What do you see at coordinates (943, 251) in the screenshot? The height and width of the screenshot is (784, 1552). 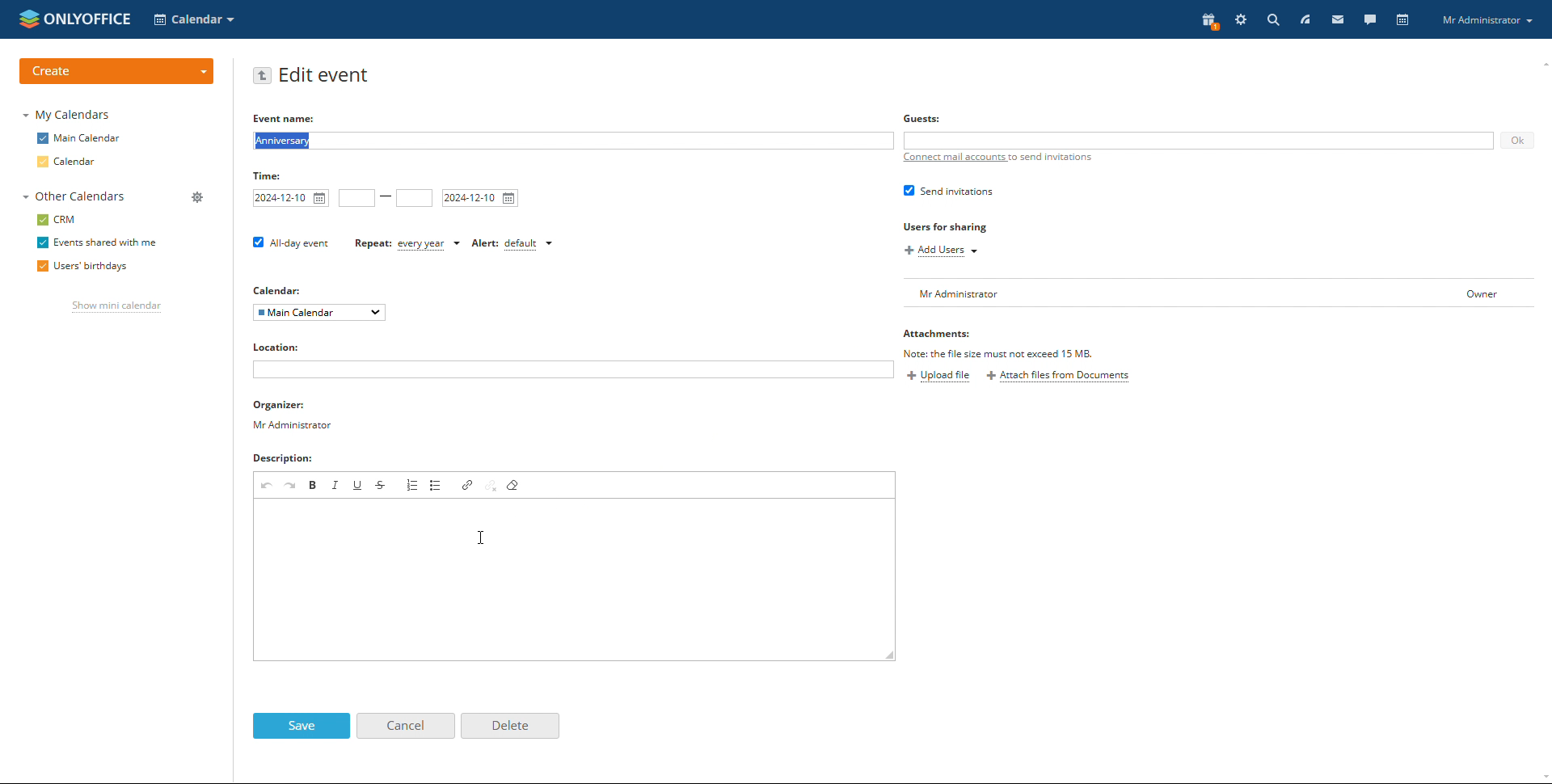 I see `add users` at bounding box center [943, 251].